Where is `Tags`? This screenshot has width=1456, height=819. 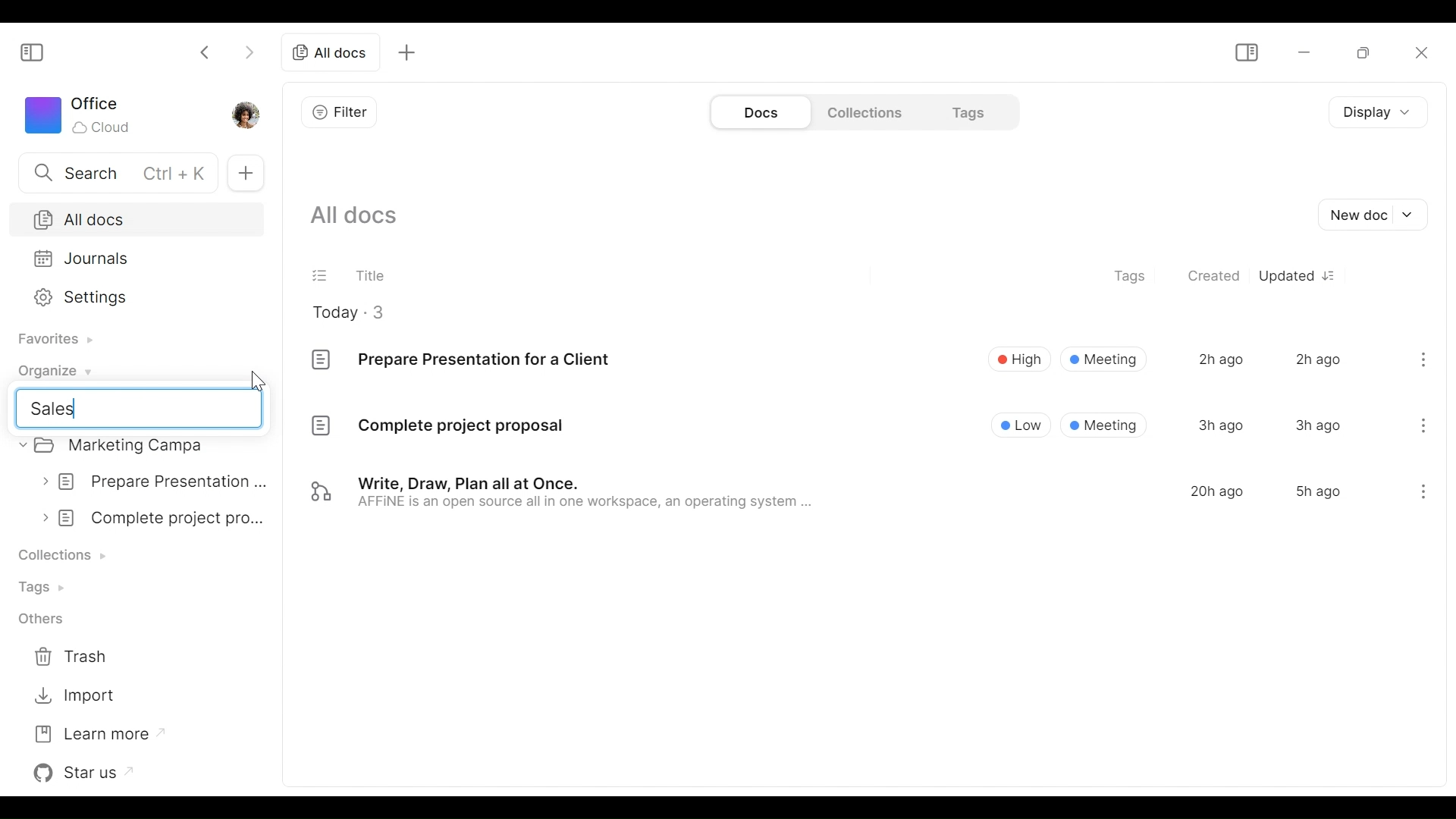 Tags is located at coordinates (48, 587).